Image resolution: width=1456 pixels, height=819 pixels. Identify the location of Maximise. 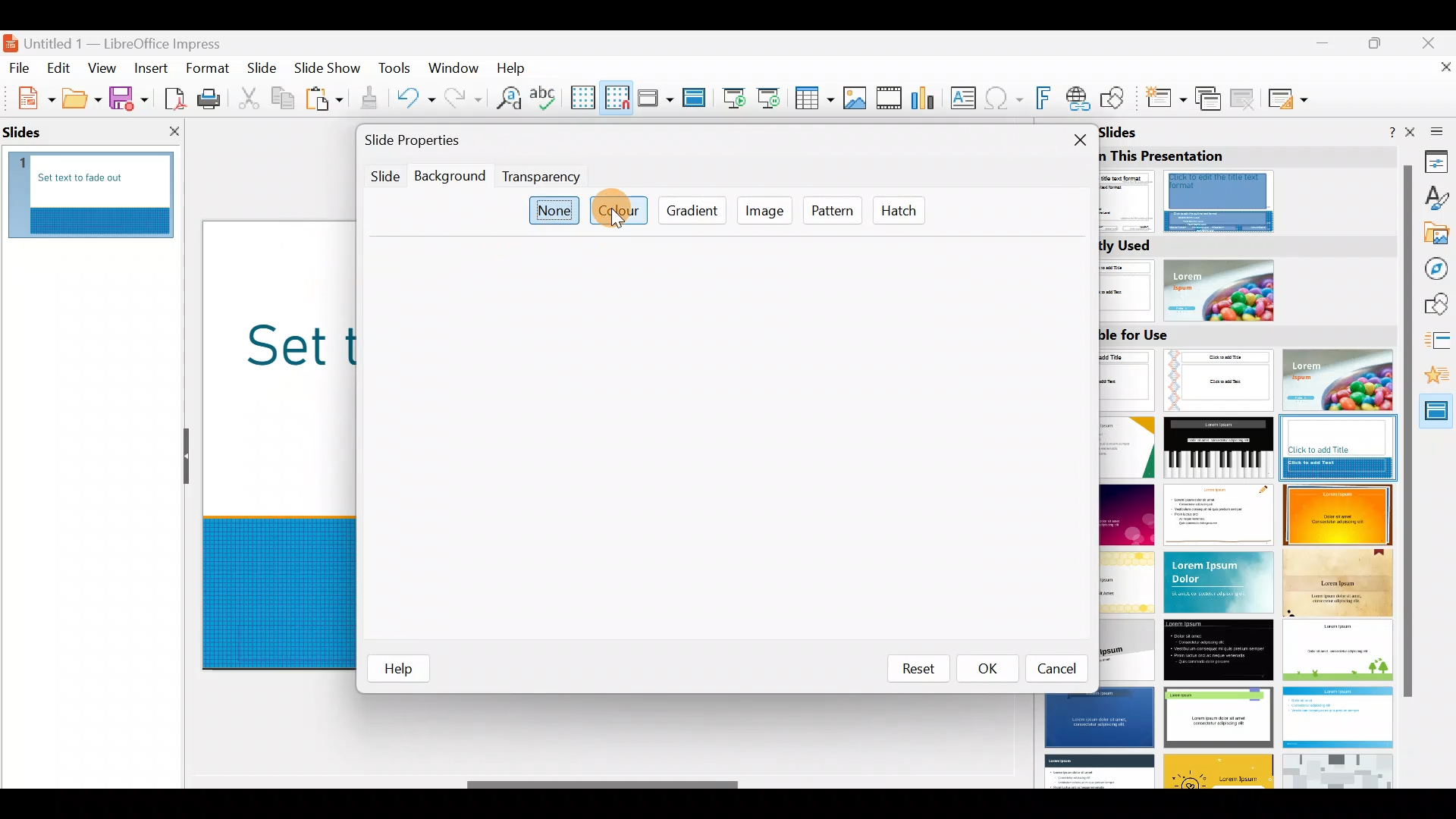
(1379, 46).